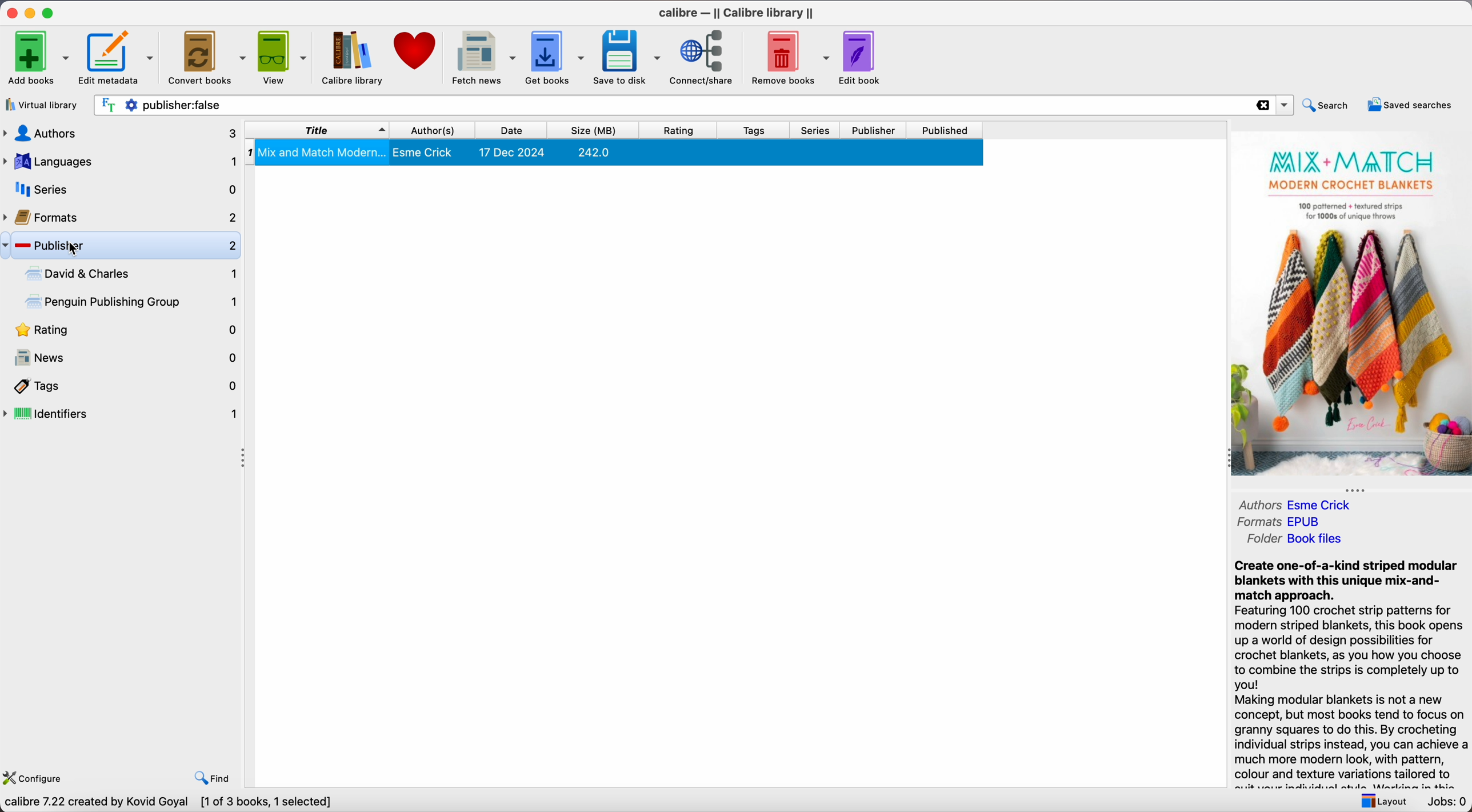 Image resolution: width=1472 pixels, height=812 pixels. What do you see at coordinates (283, 57) in the screenshot?
I see `view` at bounding box center [283, 57].